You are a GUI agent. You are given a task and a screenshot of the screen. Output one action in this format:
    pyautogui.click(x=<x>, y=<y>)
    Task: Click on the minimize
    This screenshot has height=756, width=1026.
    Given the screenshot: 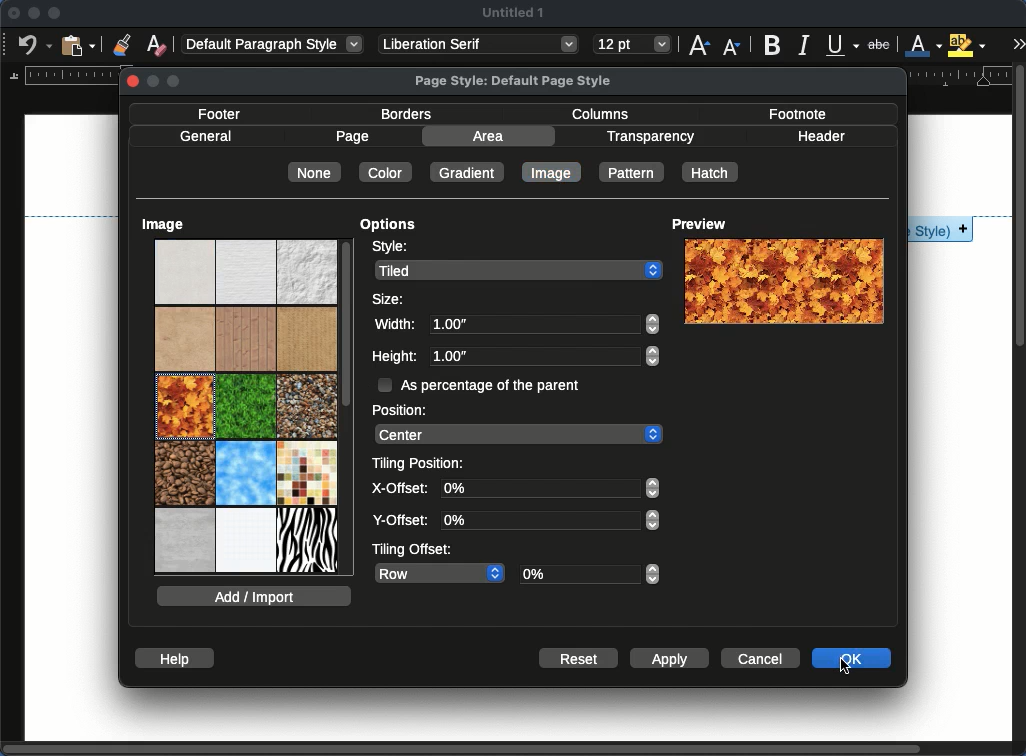 What is the action you would take?
    pyautogui.click(x=33, y=14)
    